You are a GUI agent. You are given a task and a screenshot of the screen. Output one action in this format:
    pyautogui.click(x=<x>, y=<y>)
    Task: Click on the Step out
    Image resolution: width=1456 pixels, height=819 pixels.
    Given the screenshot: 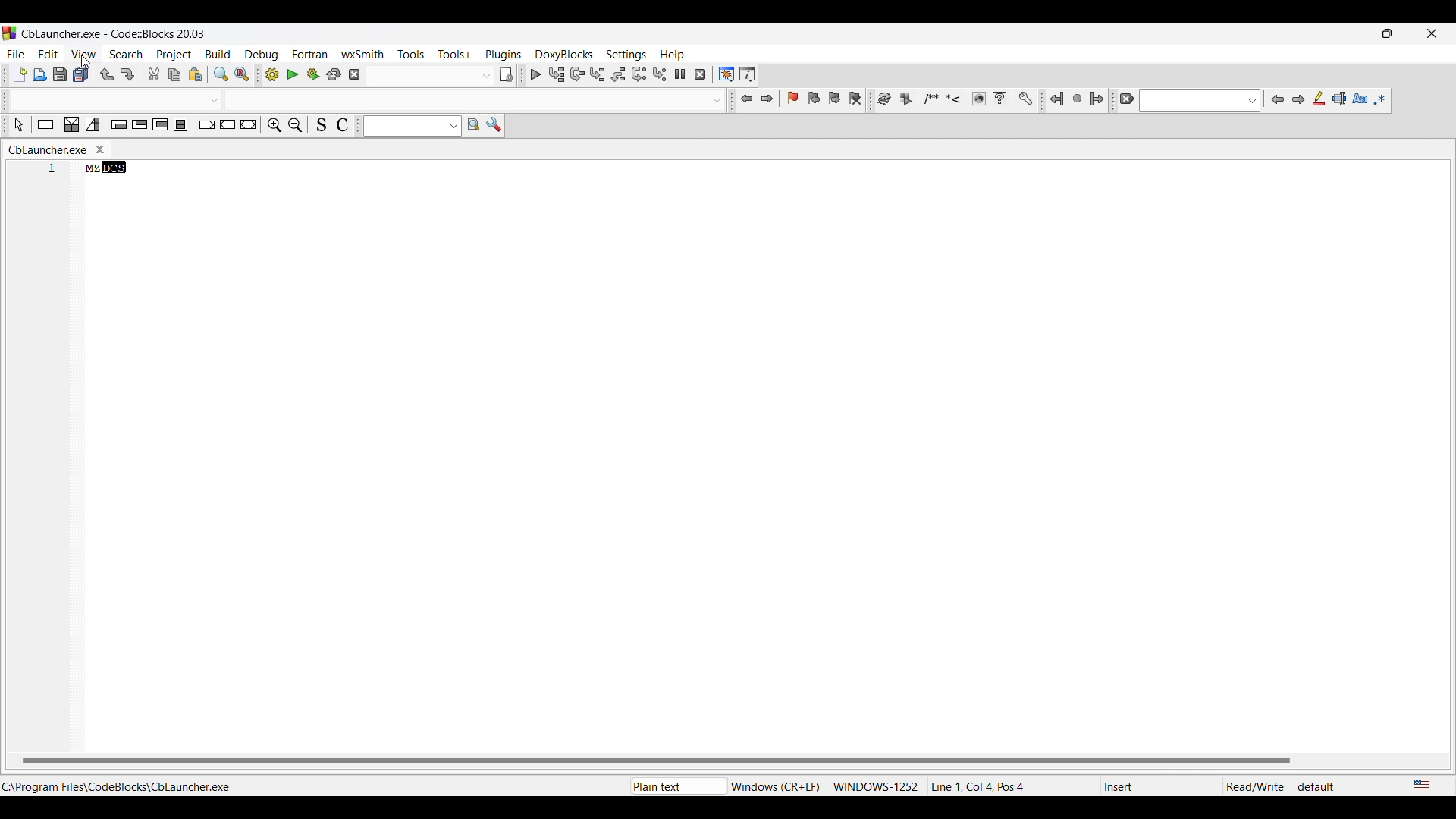 What is the action you would take?
    pyautogui.click(x=619, y=74)
    